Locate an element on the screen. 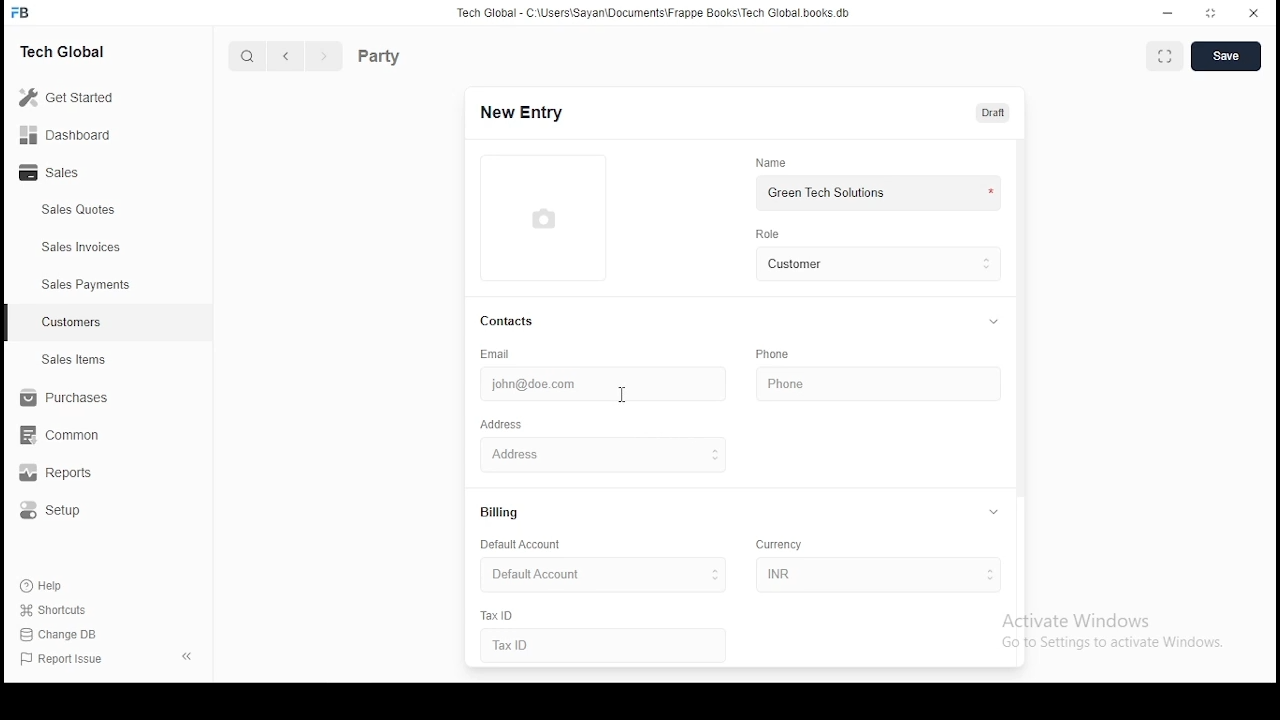  tech global is located at coordinates (67, 50).